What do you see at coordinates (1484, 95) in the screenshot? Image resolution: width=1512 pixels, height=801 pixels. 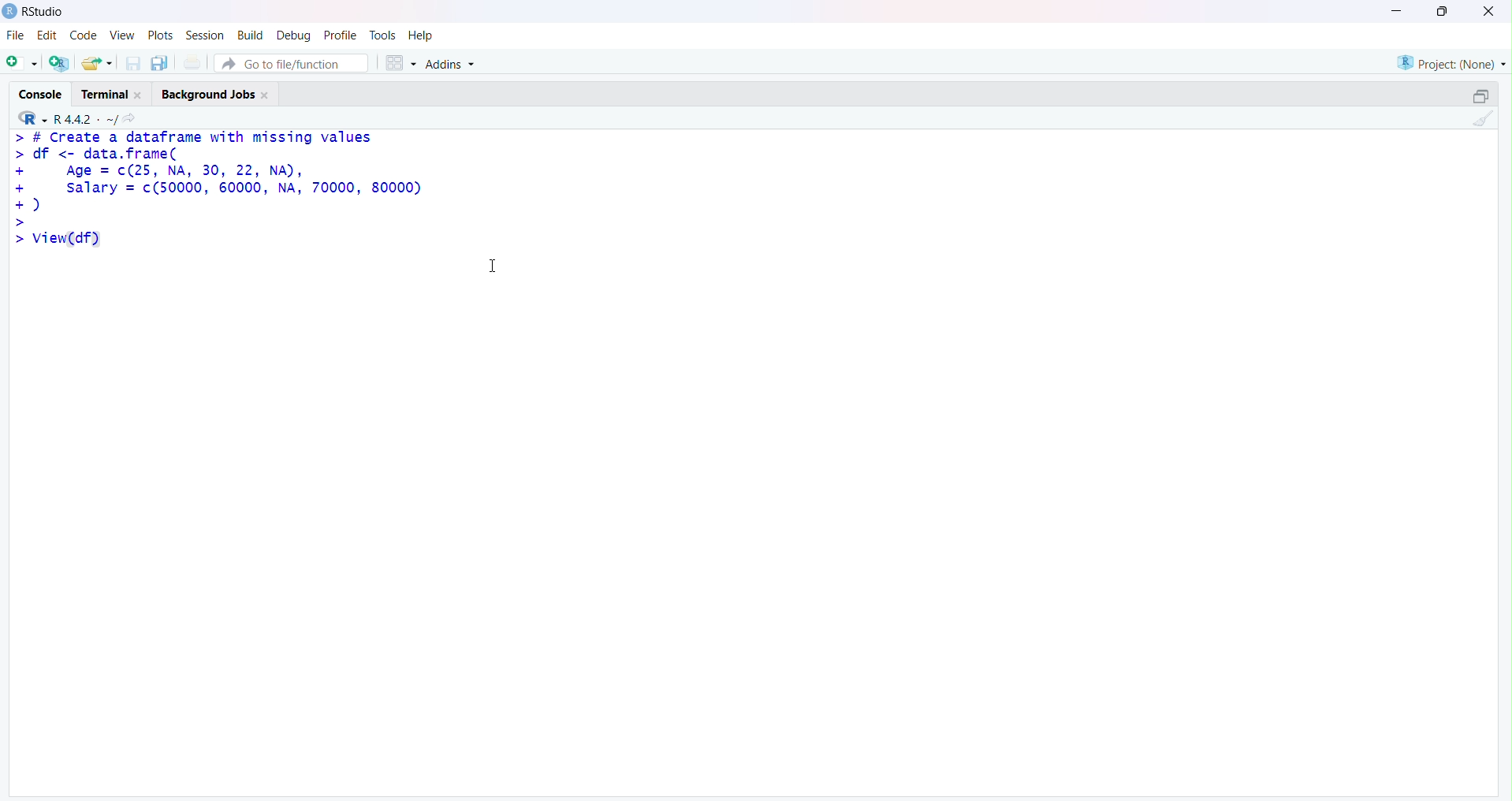 I see `Maximize/Restore` at bounding box center [1484, 95].